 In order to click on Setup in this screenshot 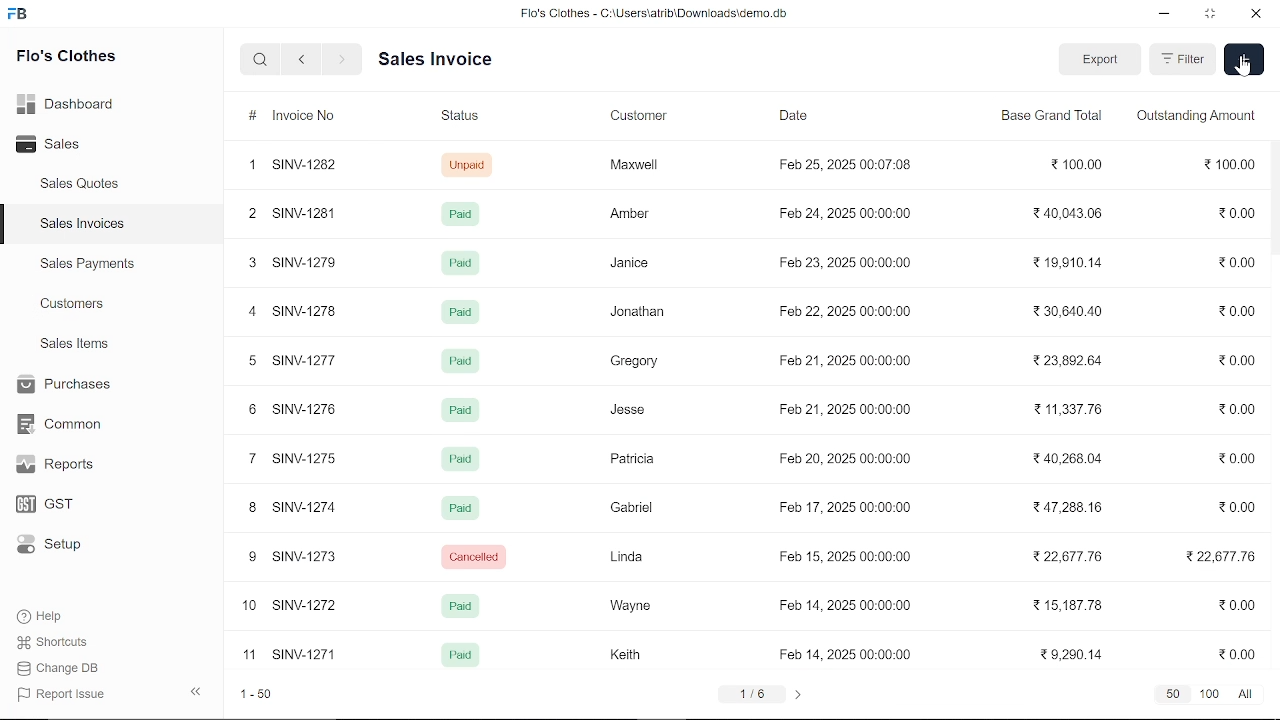, I will do `click(63, 546)`.